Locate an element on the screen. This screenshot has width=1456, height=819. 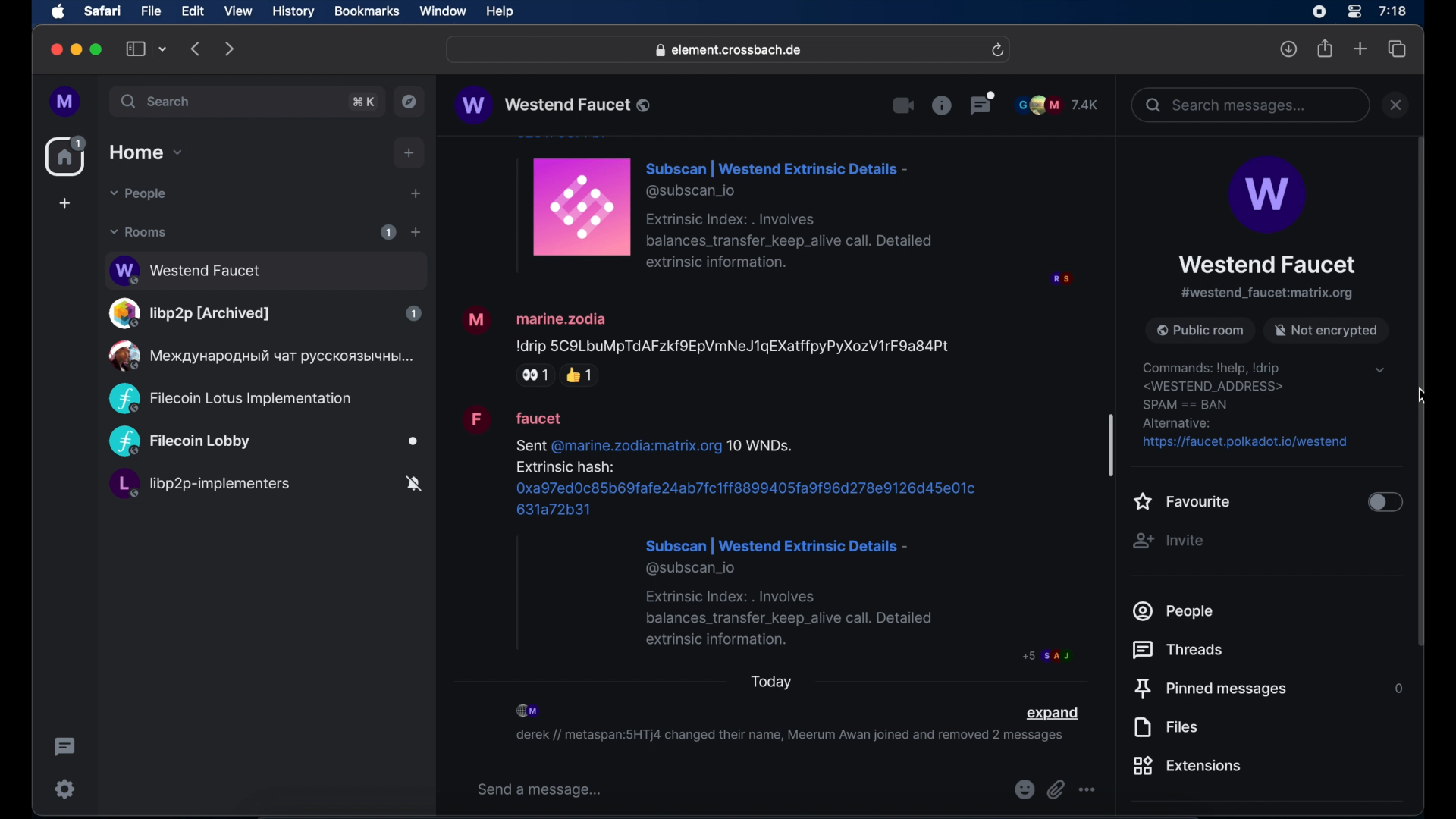
settings is located at coordinates (66, 789).